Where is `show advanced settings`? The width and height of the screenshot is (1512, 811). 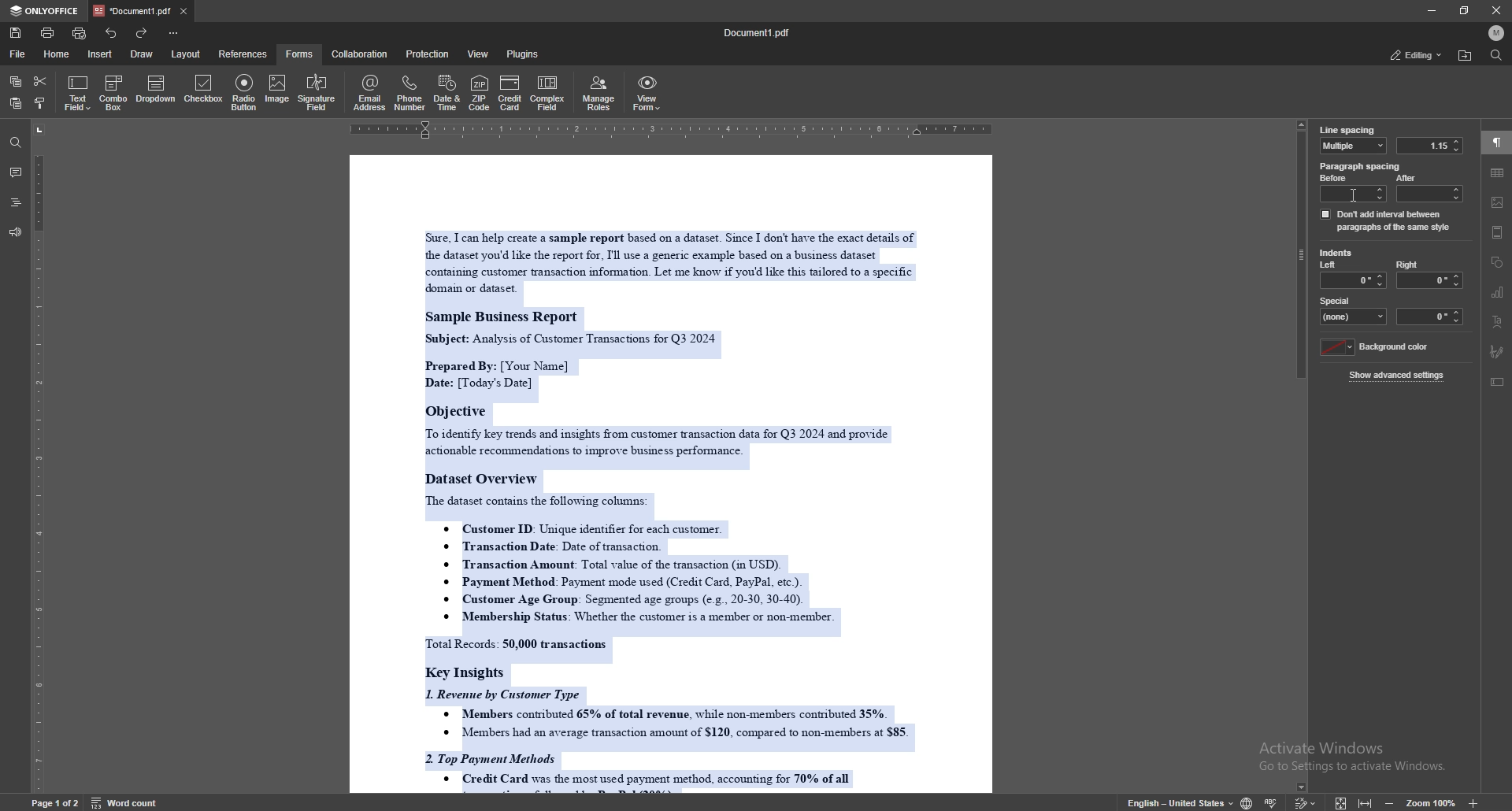
show advanced settings is located at coordinates (1399, 375).